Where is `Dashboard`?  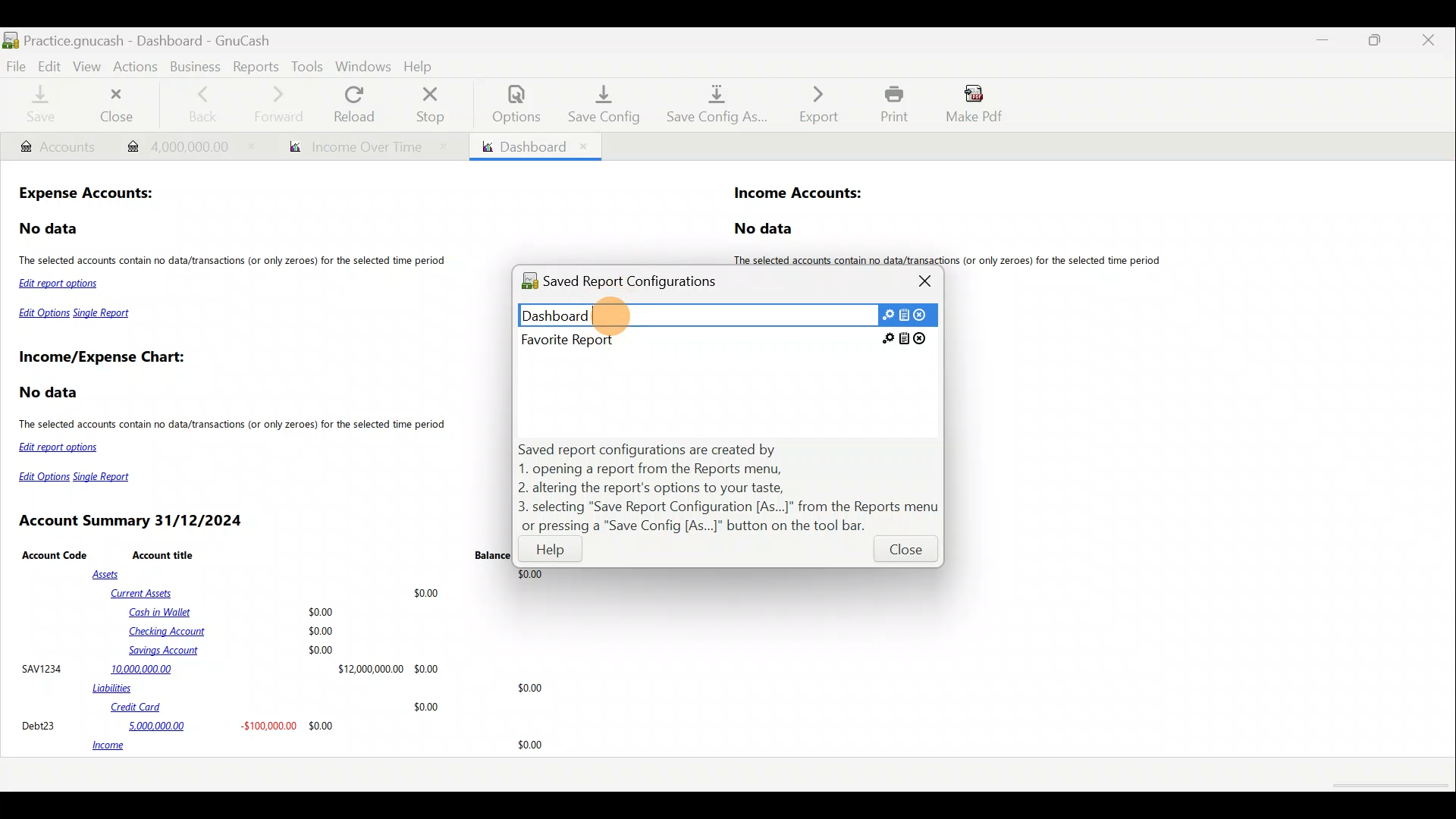 Dashboard is located at coordinates (534, 146).